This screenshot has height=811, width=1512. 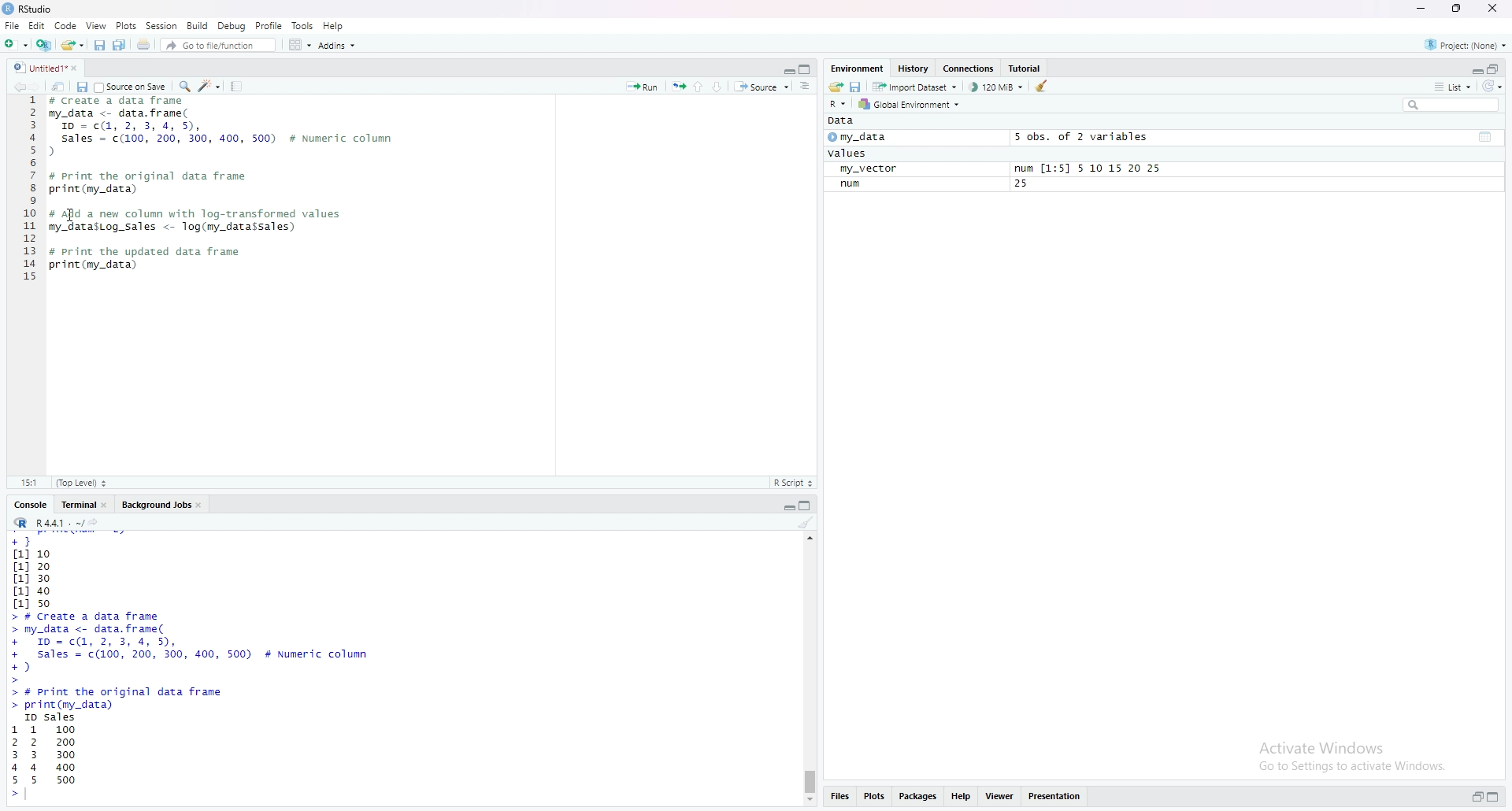 What do you see at coordinates (855, 87) in the screenshot?
I see `save workspace as` at bounding box center [855, 87].